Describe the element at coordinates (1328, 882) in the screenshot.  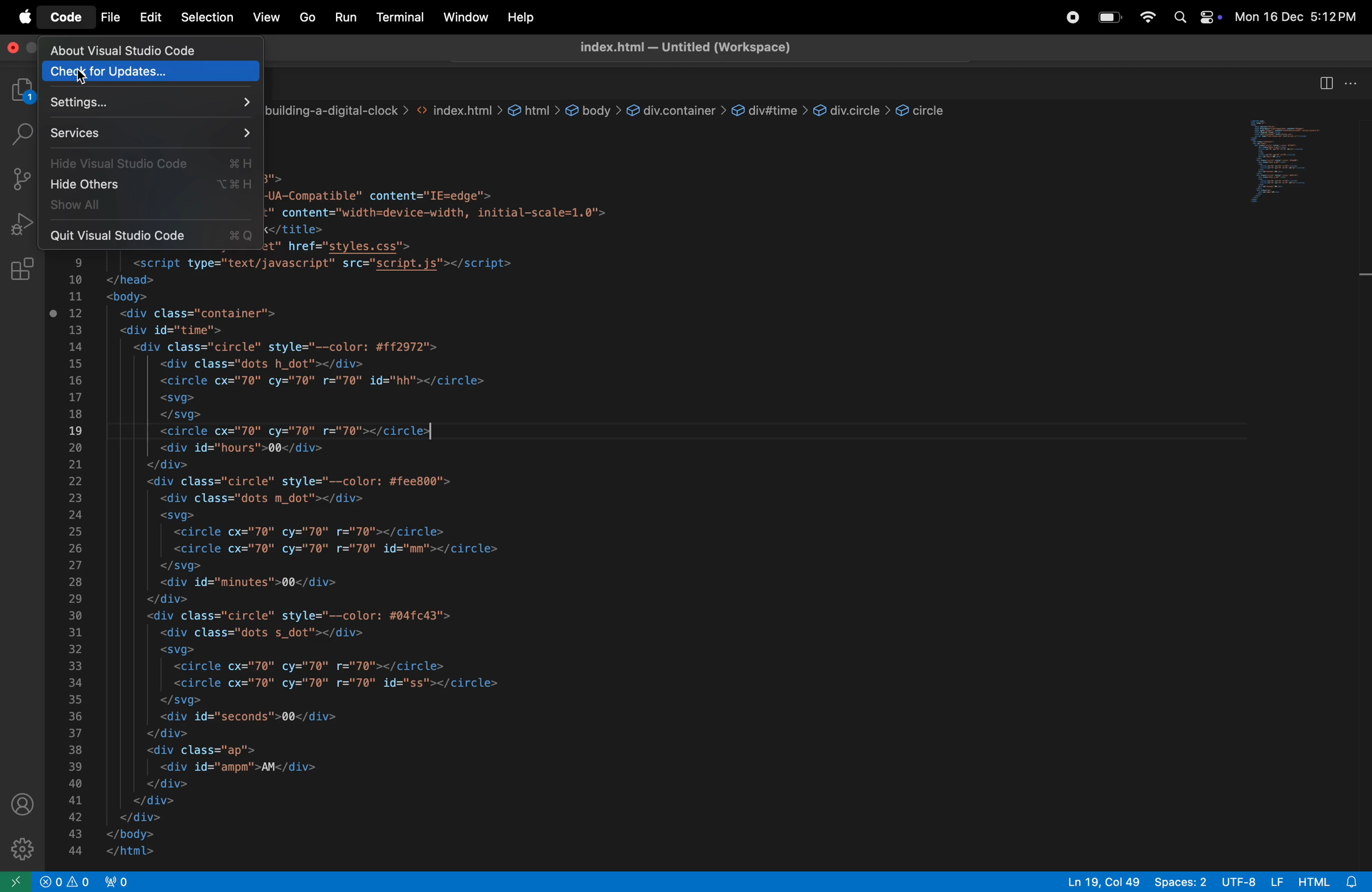
I see `html 8` at that location.